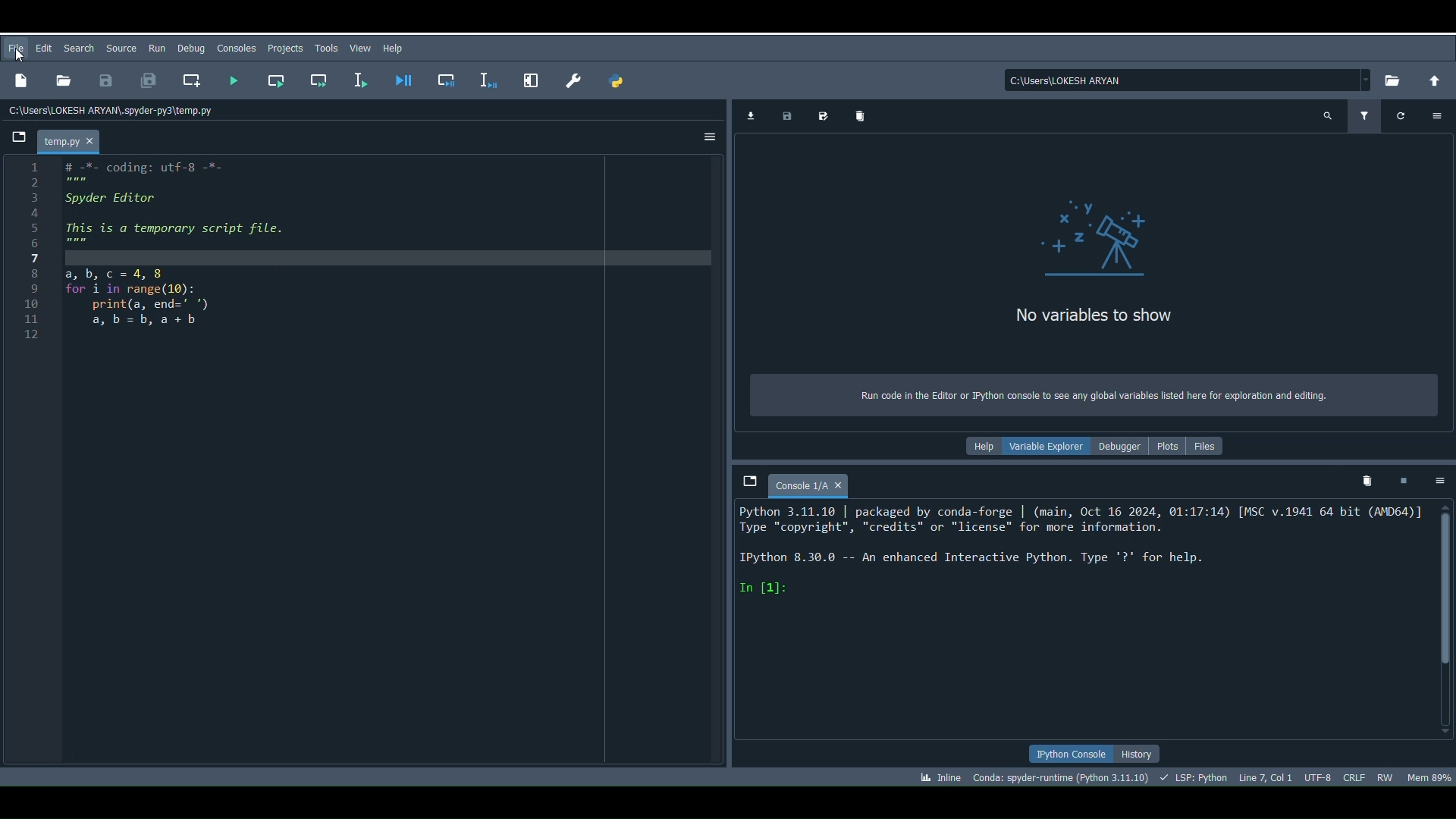  Describe the element at coordinates (1366, 116) in the screenshot. I see `Filter variables` at that location.